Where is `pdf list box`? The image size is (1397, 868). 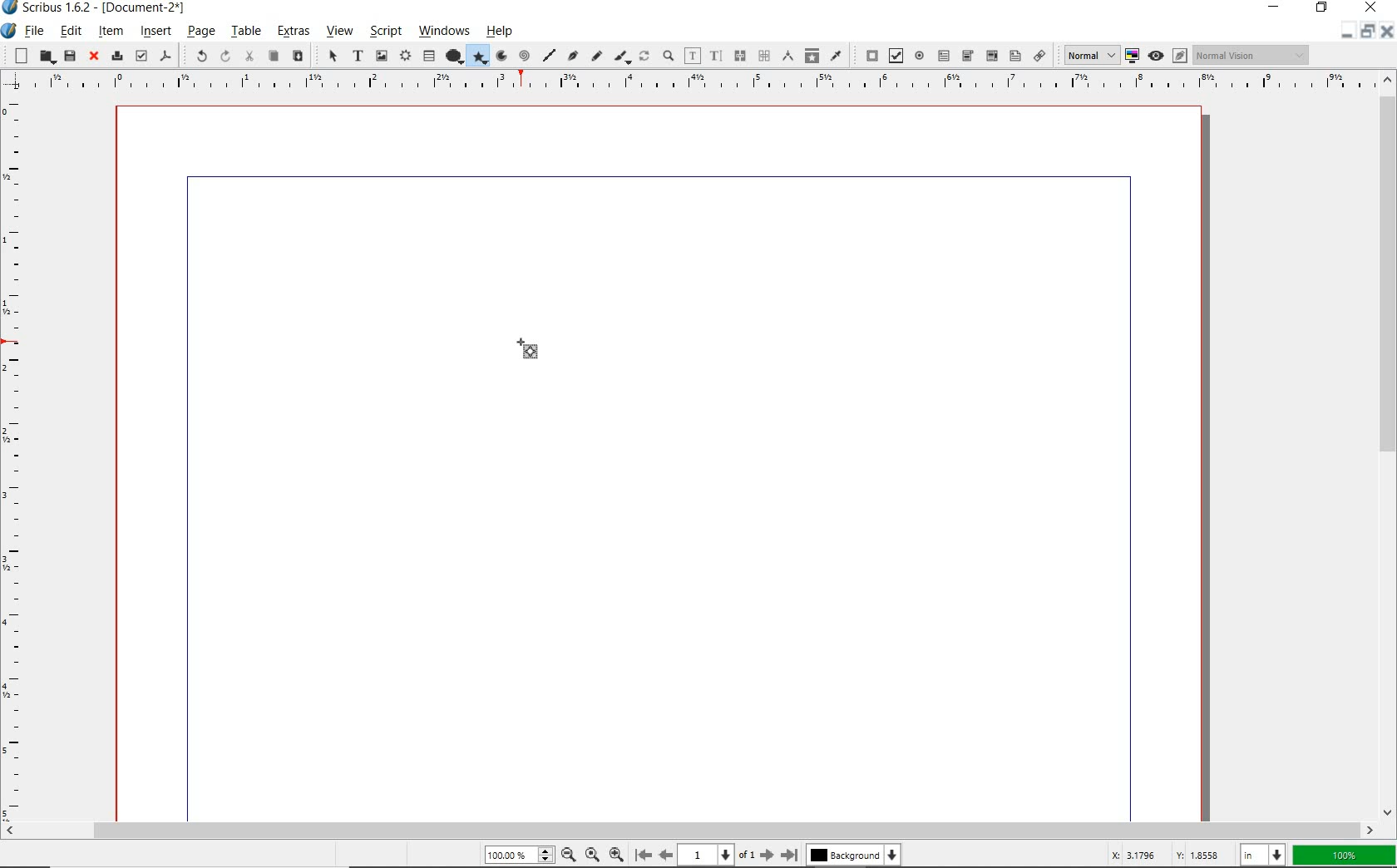
pdf list box is located at coordinates (1015, 57).